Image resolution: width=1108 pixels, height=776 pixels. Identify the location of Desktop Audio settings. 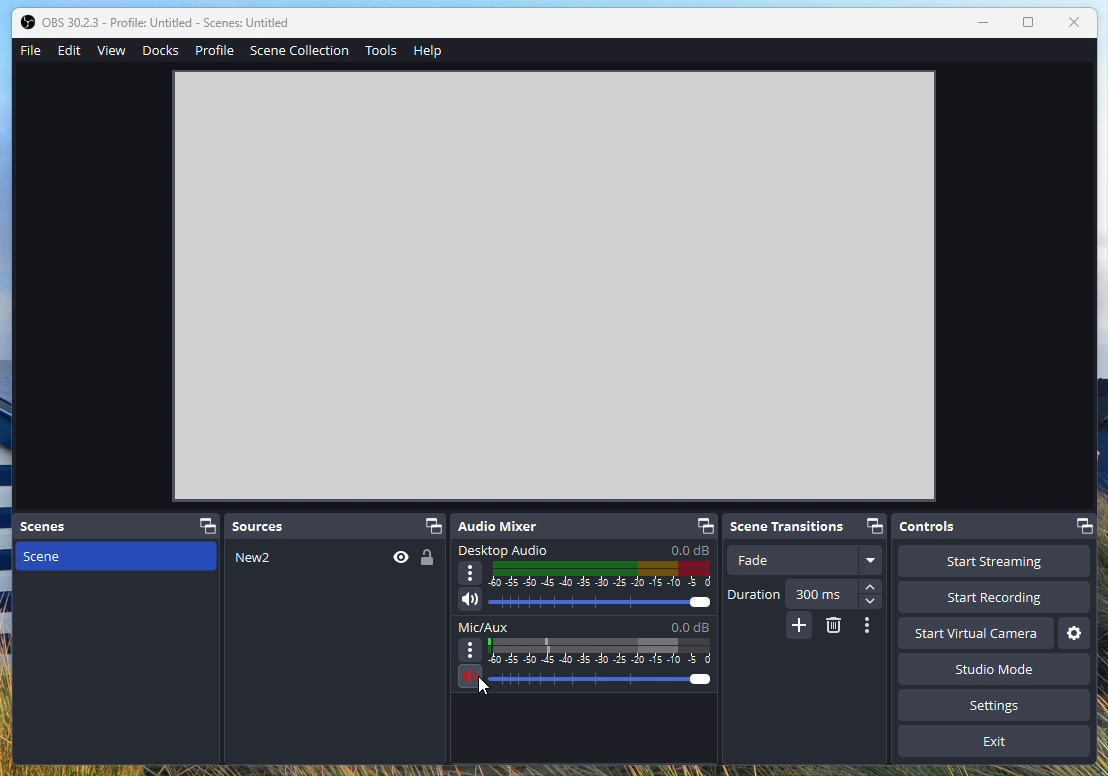
(584, 580).